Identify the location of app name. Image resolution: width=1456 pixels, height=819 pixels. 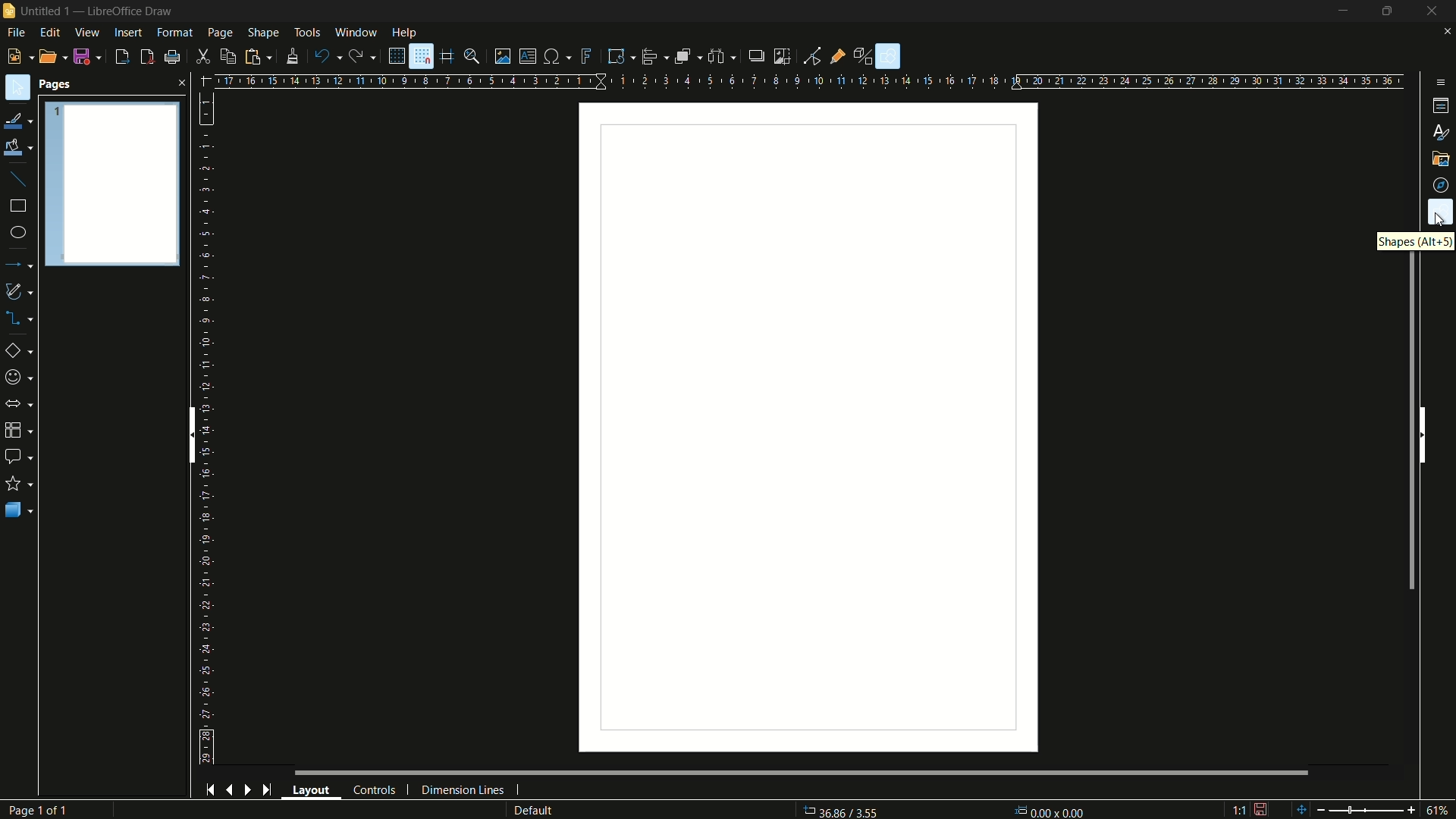
(129, 11).